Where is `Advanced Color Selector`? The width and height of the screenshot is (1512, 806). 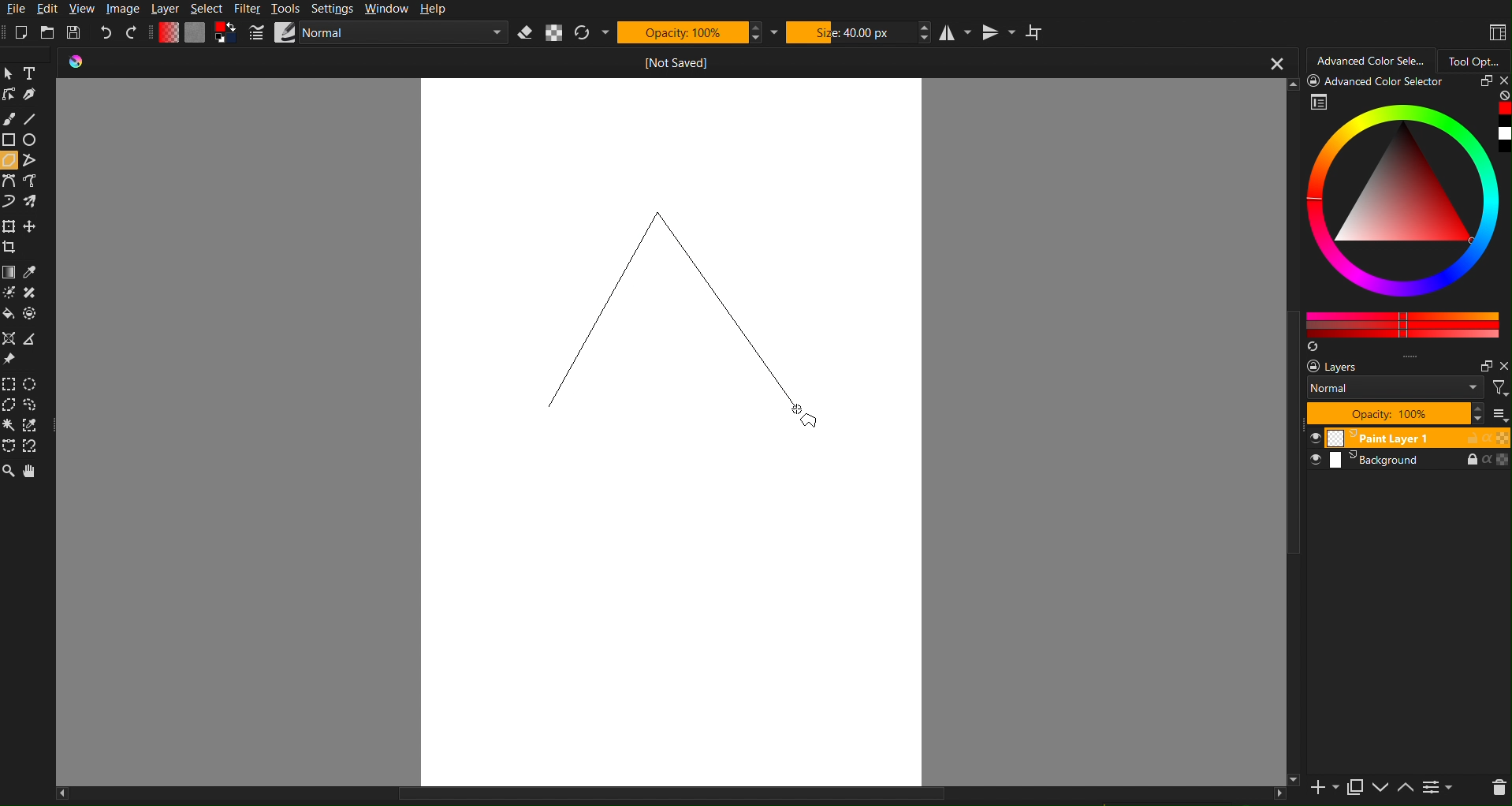 Advanced Color Selector is located at coordinates (1372, 58).